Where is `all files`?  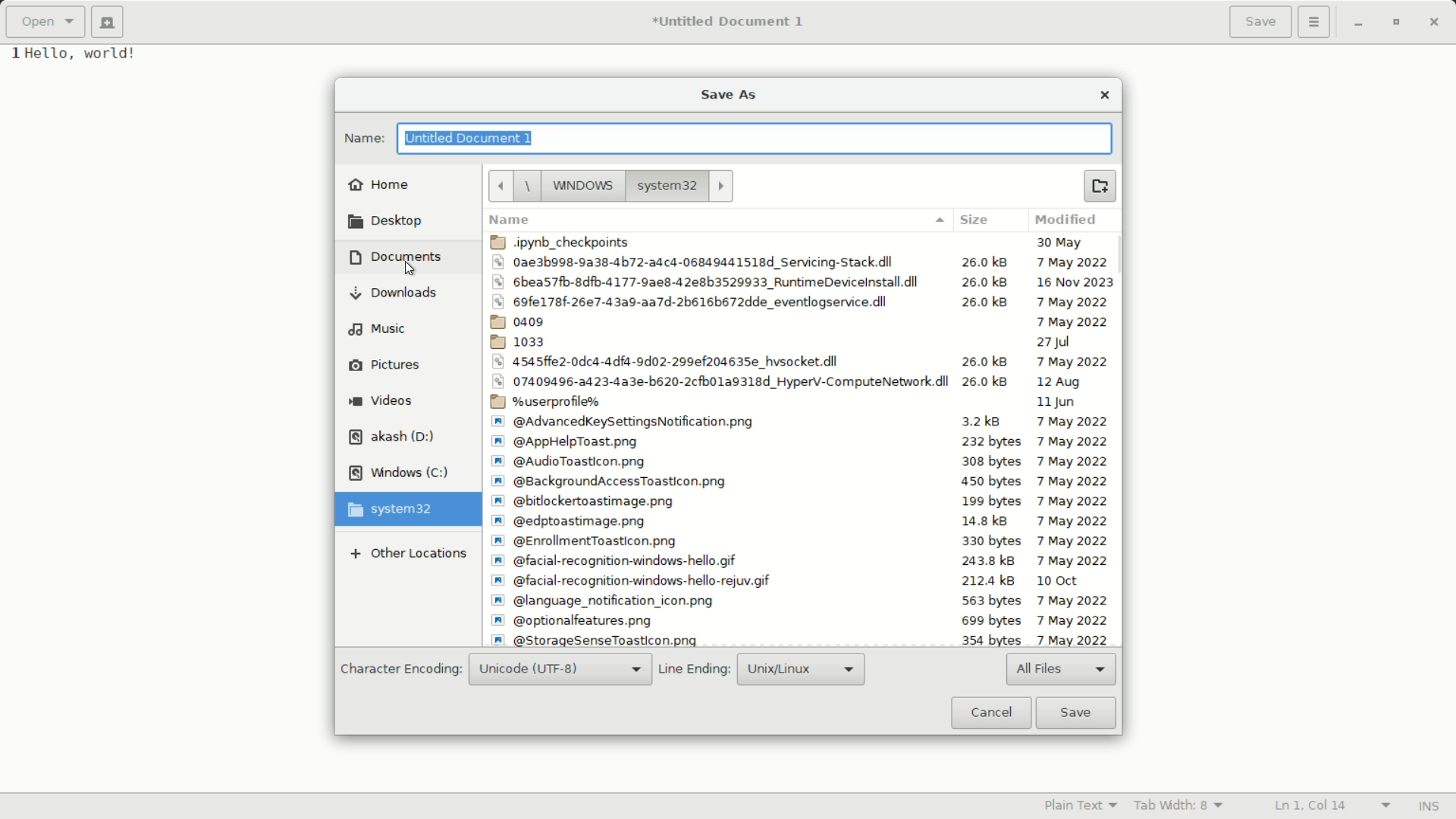 all files is located at coordinates (1062, 670).